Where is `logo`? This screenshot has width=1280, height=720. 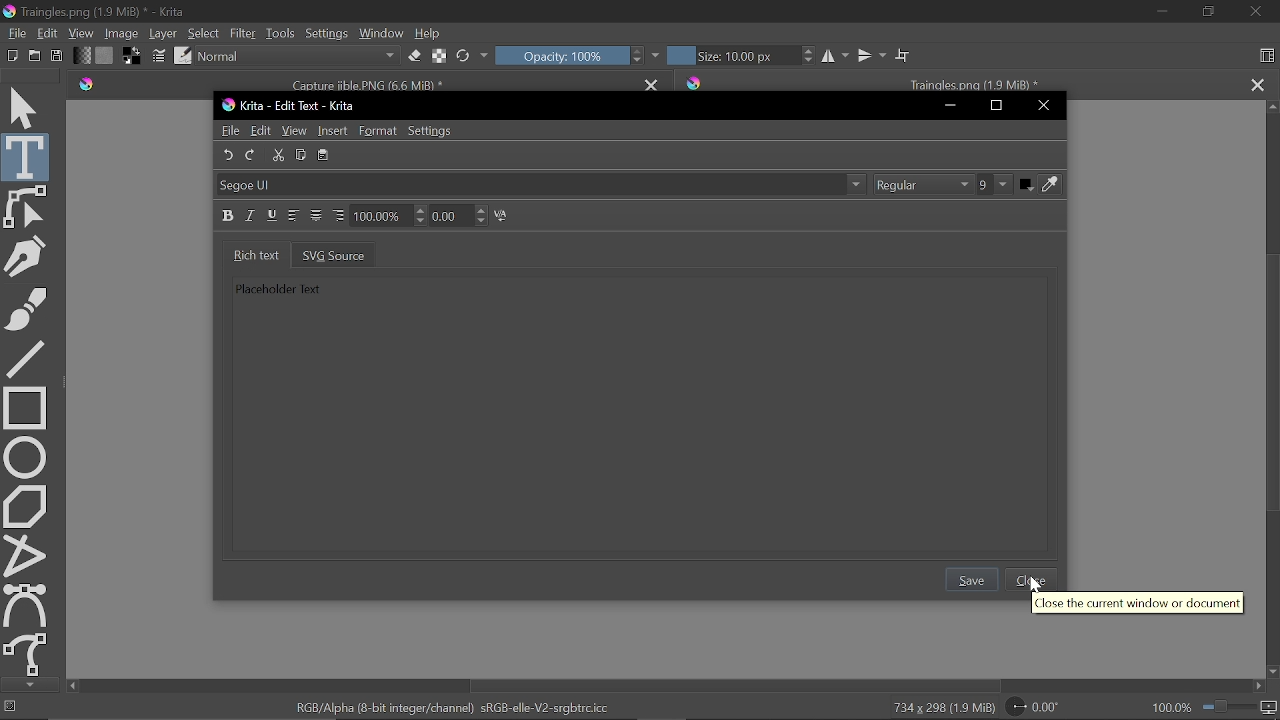
logo is located at coordinates (227, 105).